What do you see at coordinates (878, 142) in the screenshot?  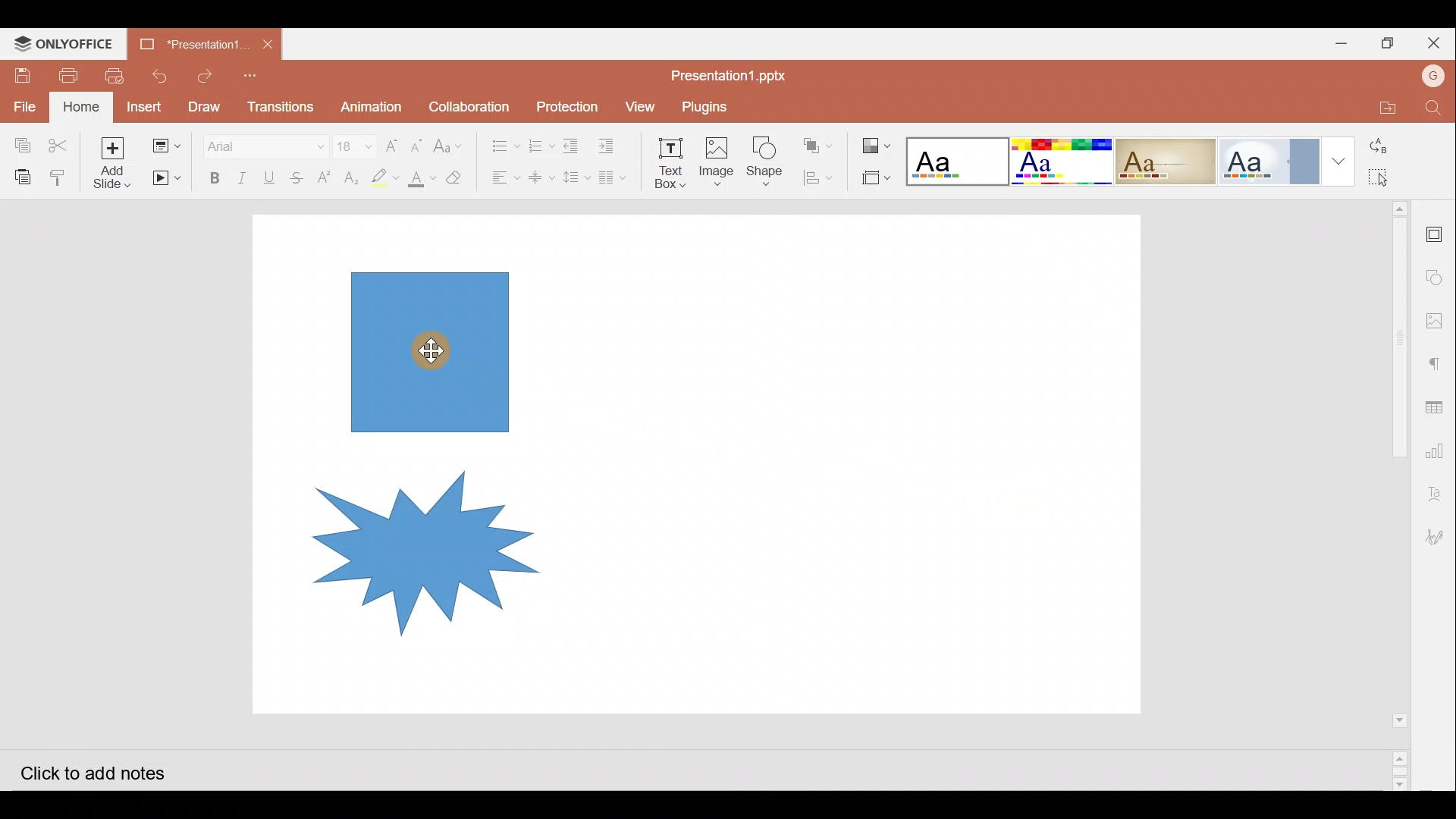 I see `Change colour theme` at bounding box center [878, 142].